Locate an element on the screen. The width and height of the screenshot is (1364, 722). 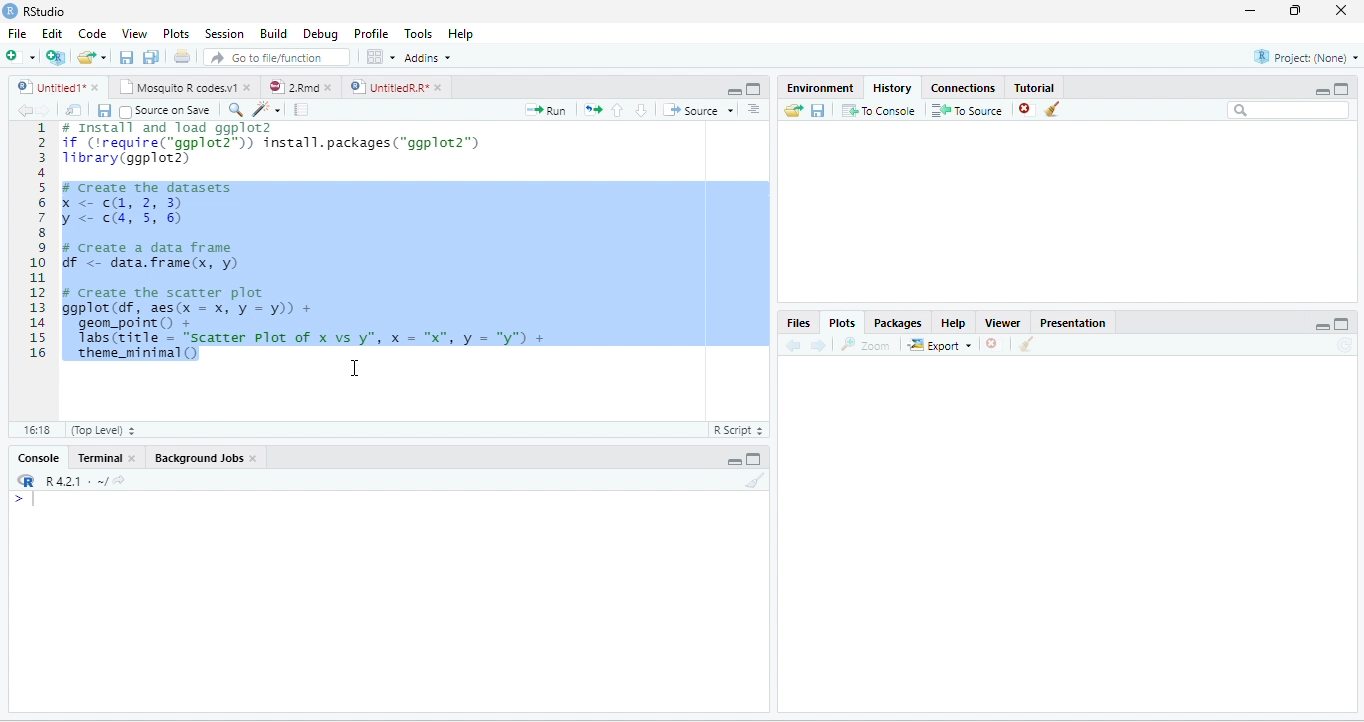
Help is located at coordinates (953, 322).